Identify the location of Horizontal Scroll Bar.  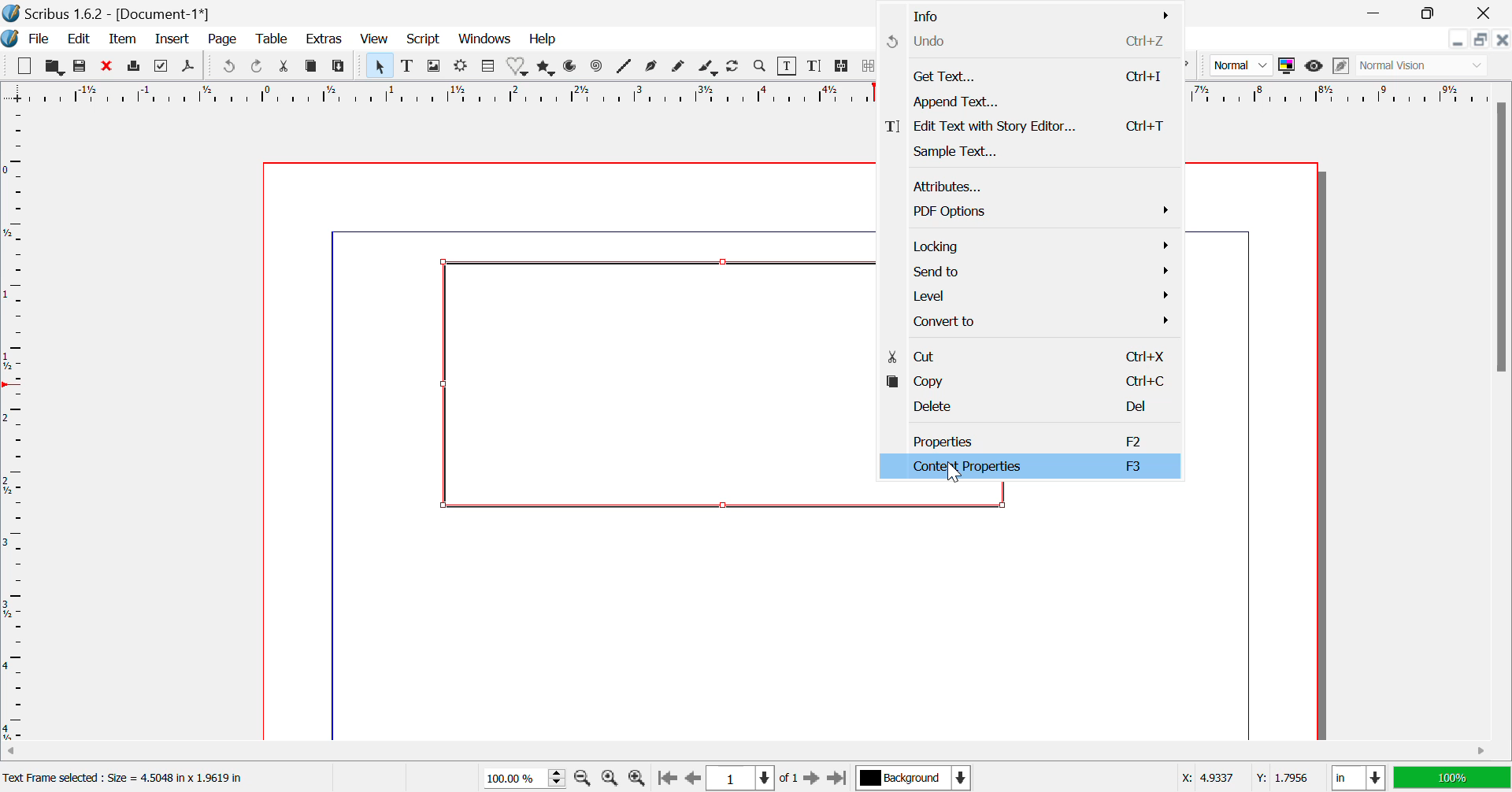
(736, 751).